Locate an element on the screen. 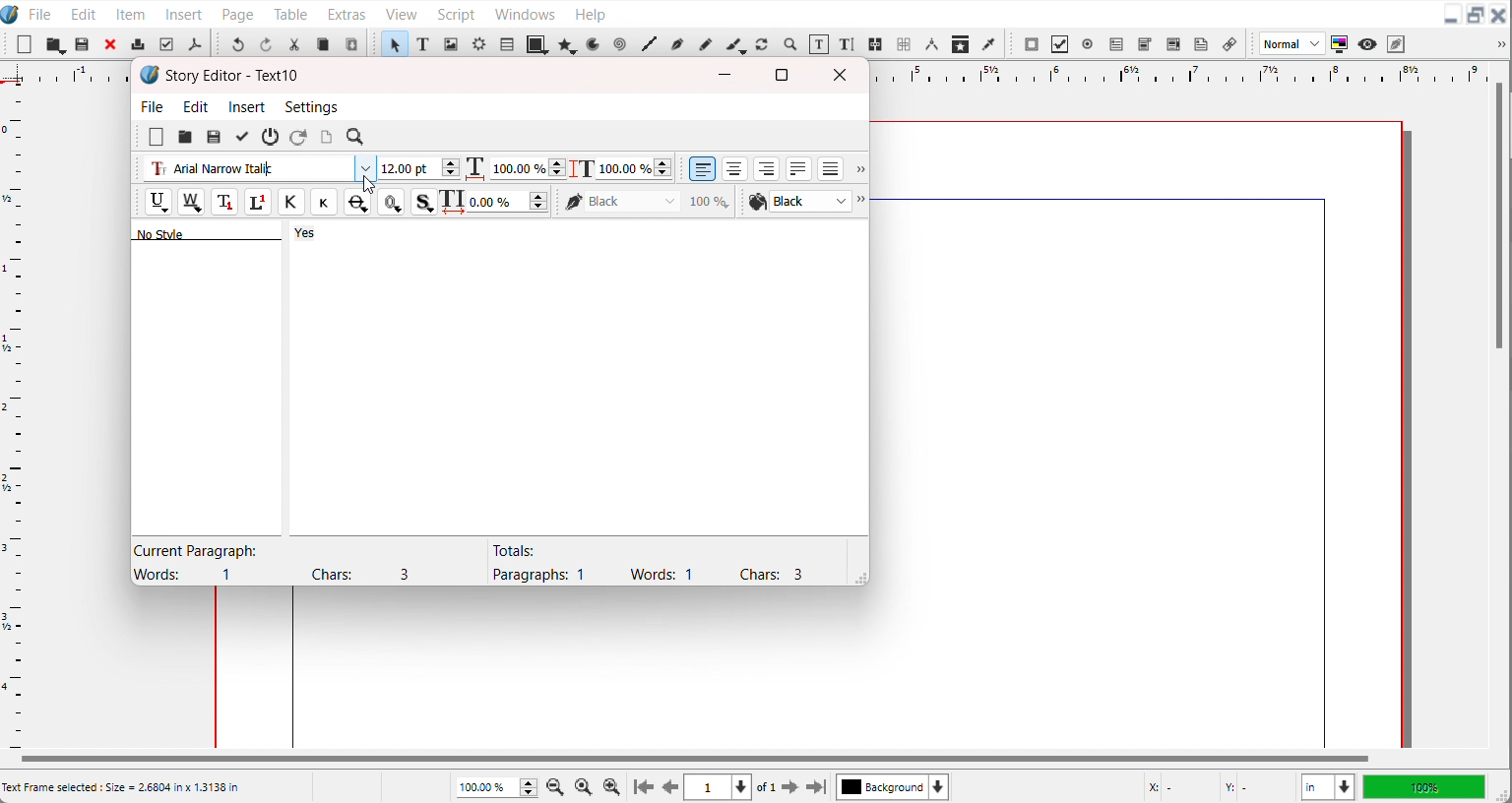  Preview is located at coordinates (1368, 44).